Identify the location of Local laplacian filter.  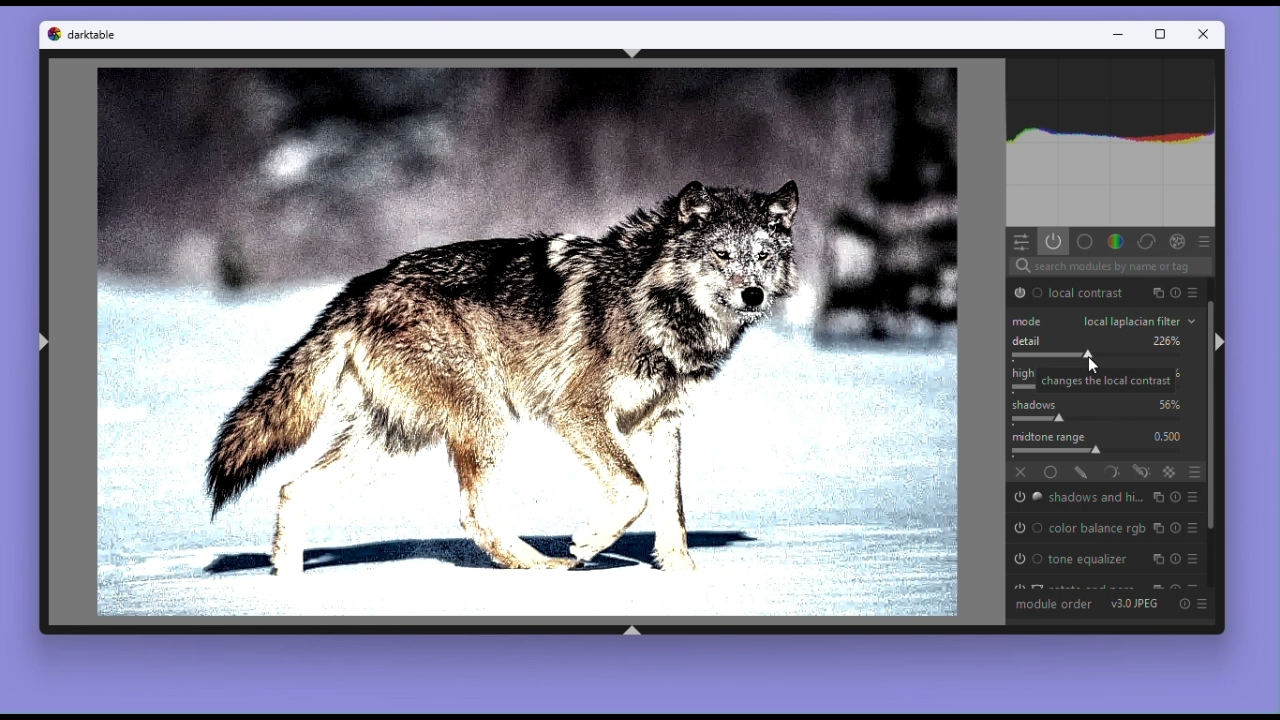
(1103, 322).